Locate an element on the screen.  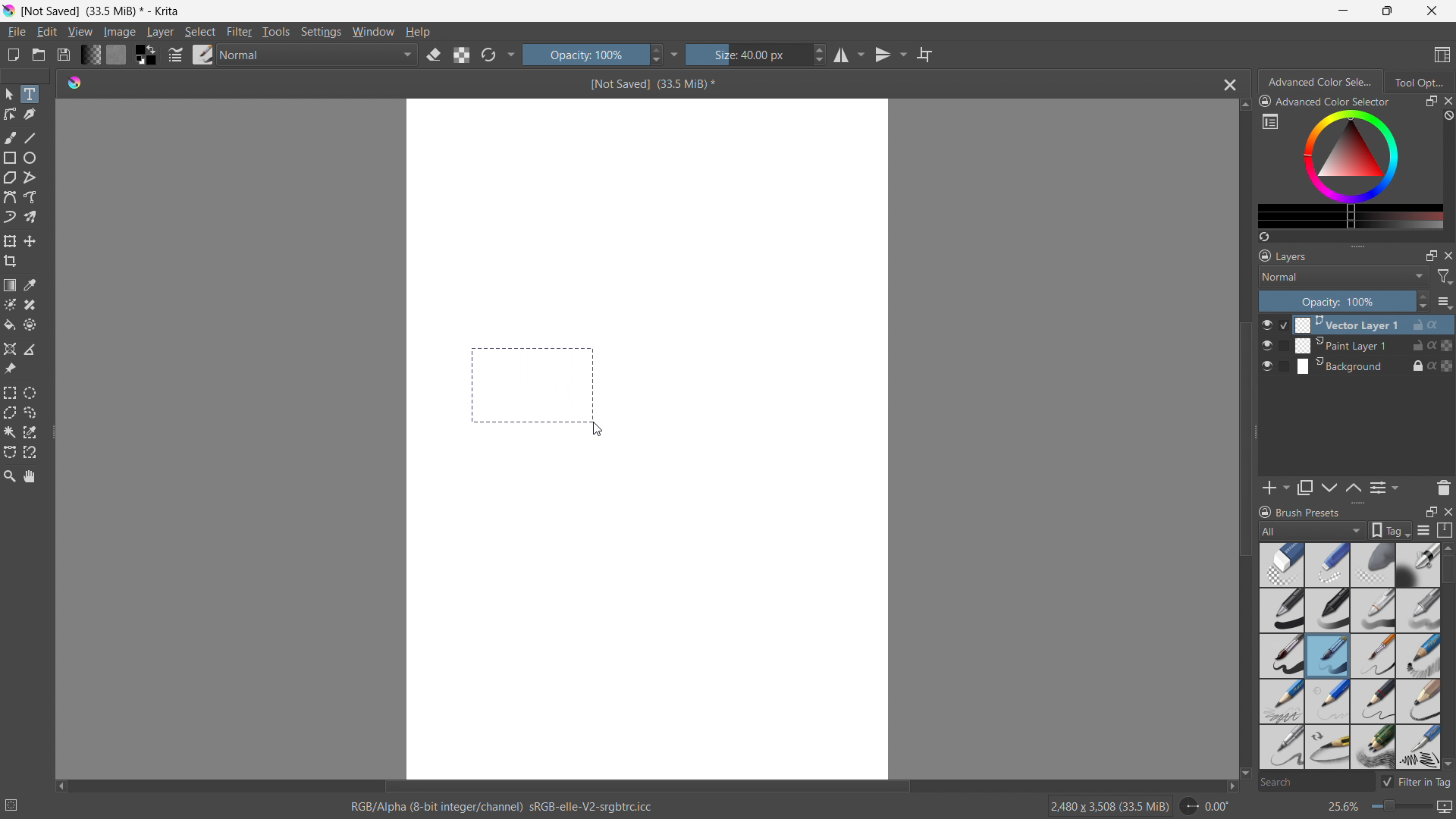
fill pattern is located at coordinates (117, 54).